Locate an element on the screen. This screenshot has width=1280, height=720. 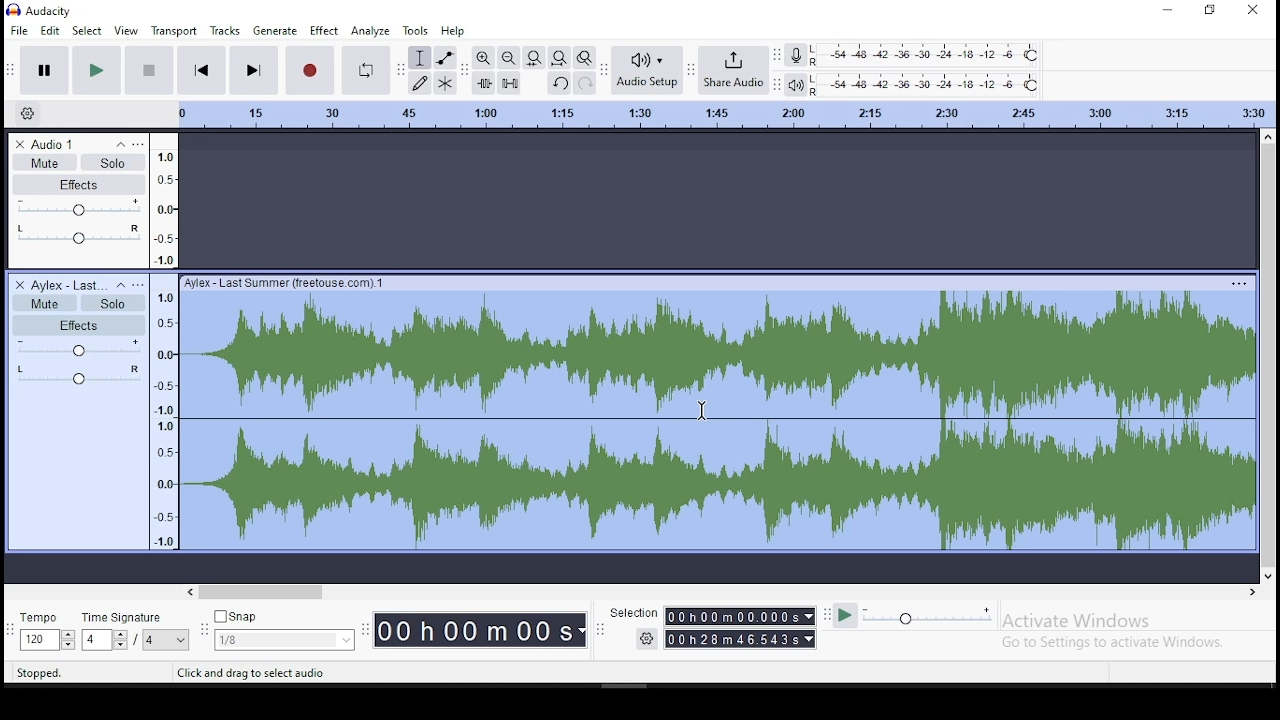
mute/unmute is located at coordinates (44, 162).